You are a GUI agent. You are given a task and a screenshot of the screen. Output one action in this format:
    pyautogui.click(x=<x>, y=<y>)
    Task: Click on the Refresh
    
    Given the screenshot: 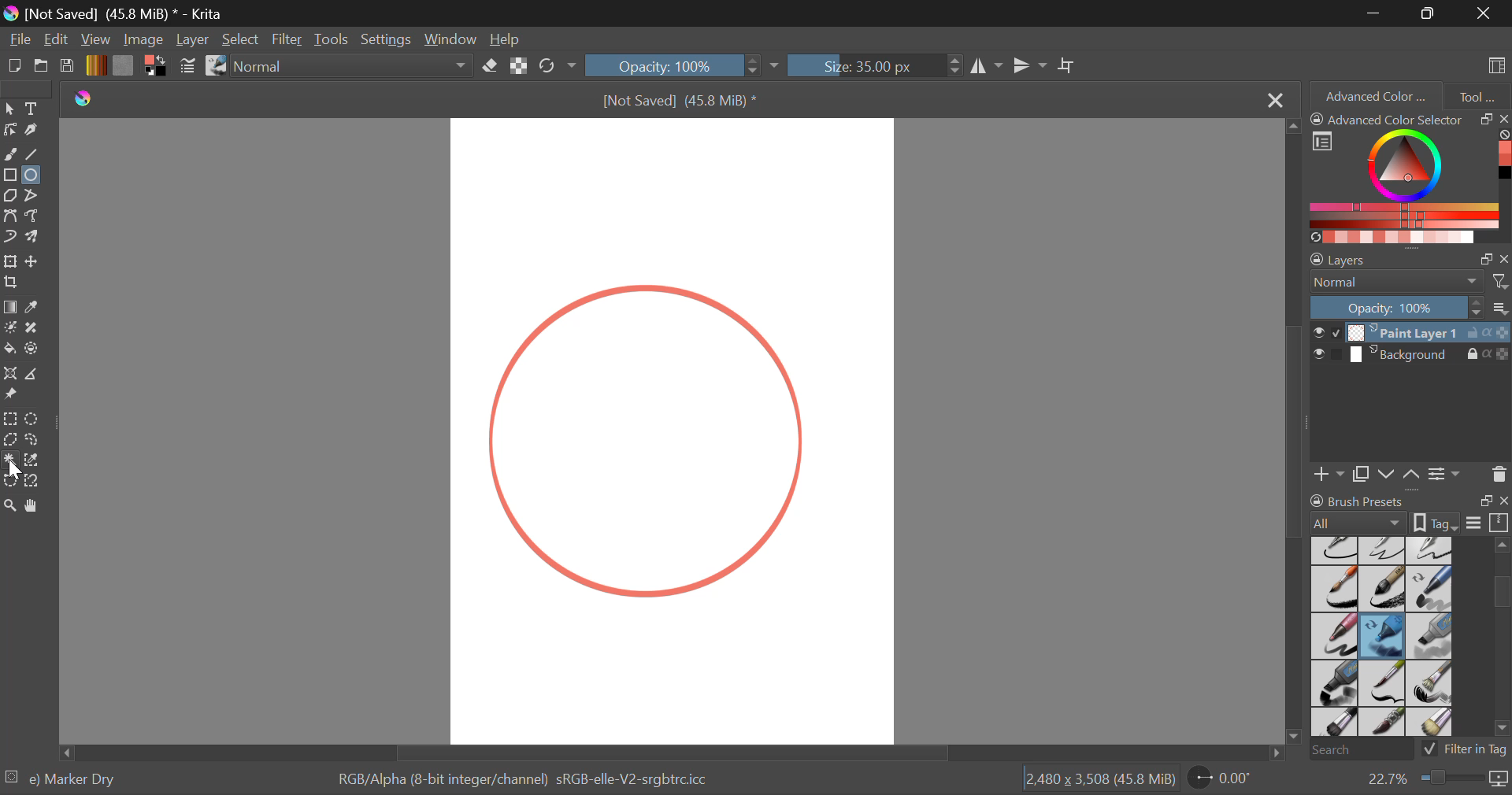 What is the action you would take?
    pyautogui.click(x=551, y=67)
    